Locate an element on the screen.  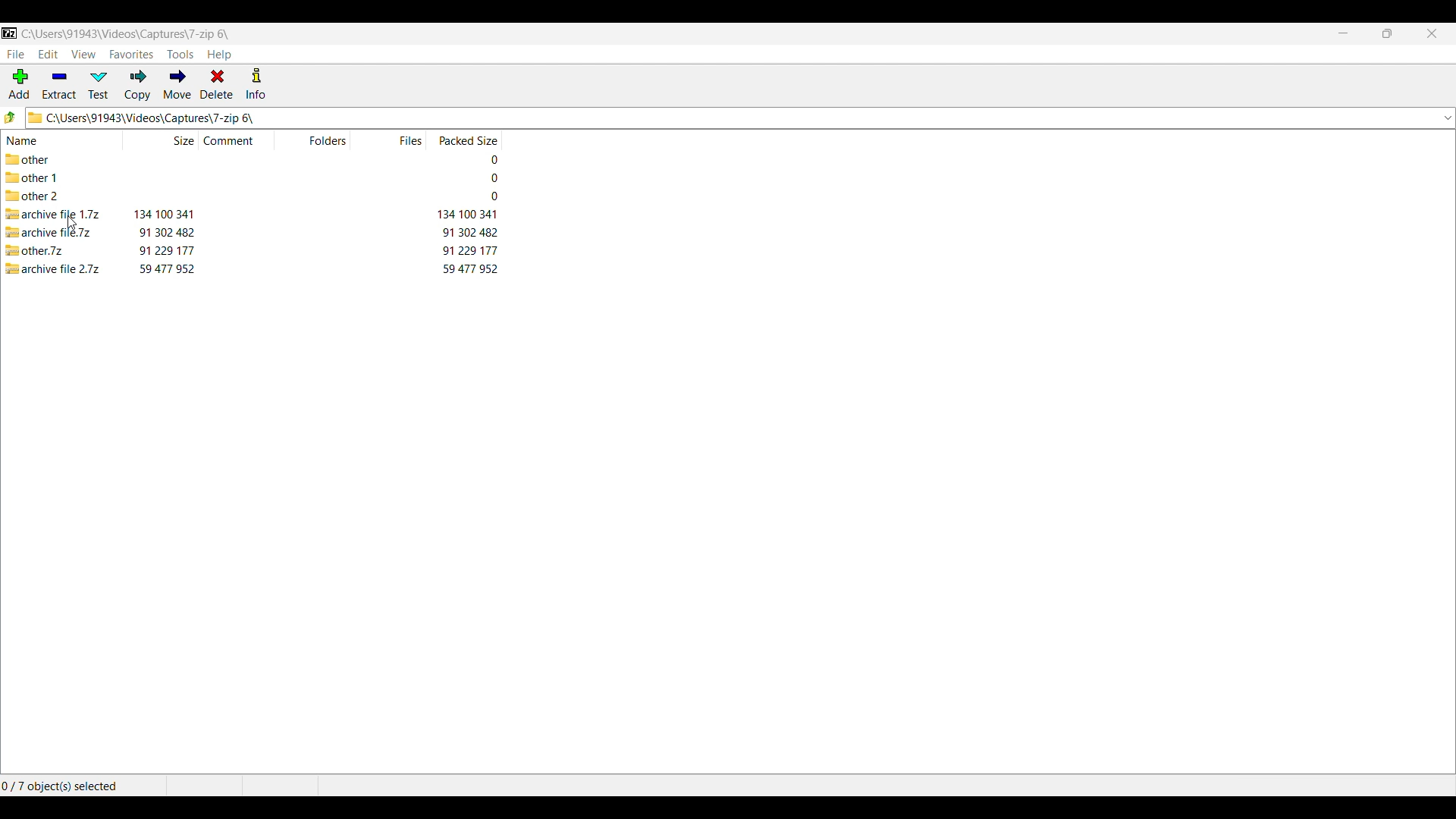
Info is located at coordinates (256, 83).